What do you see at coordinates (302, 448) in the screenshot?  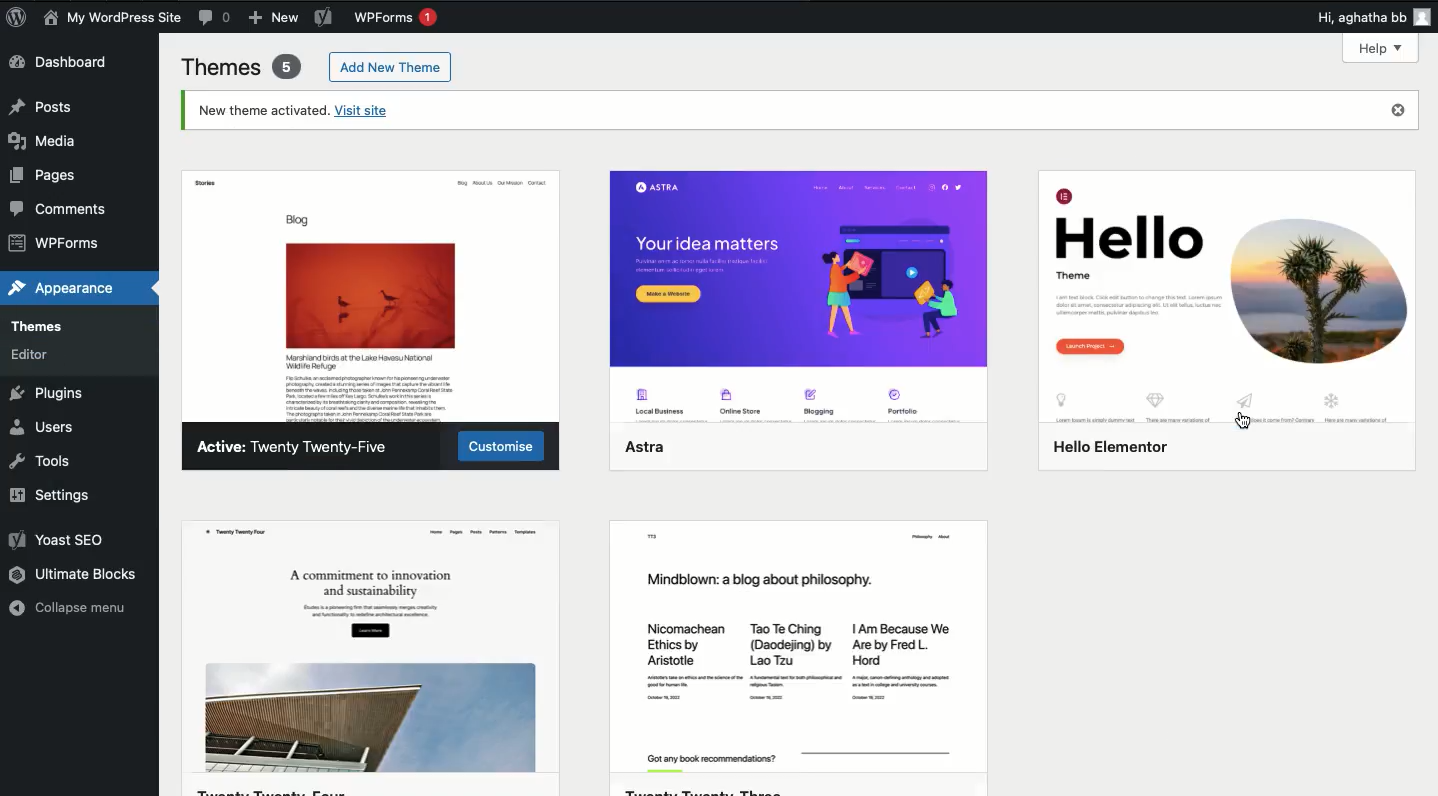 I see `Active` at bounding box center [302, 448].